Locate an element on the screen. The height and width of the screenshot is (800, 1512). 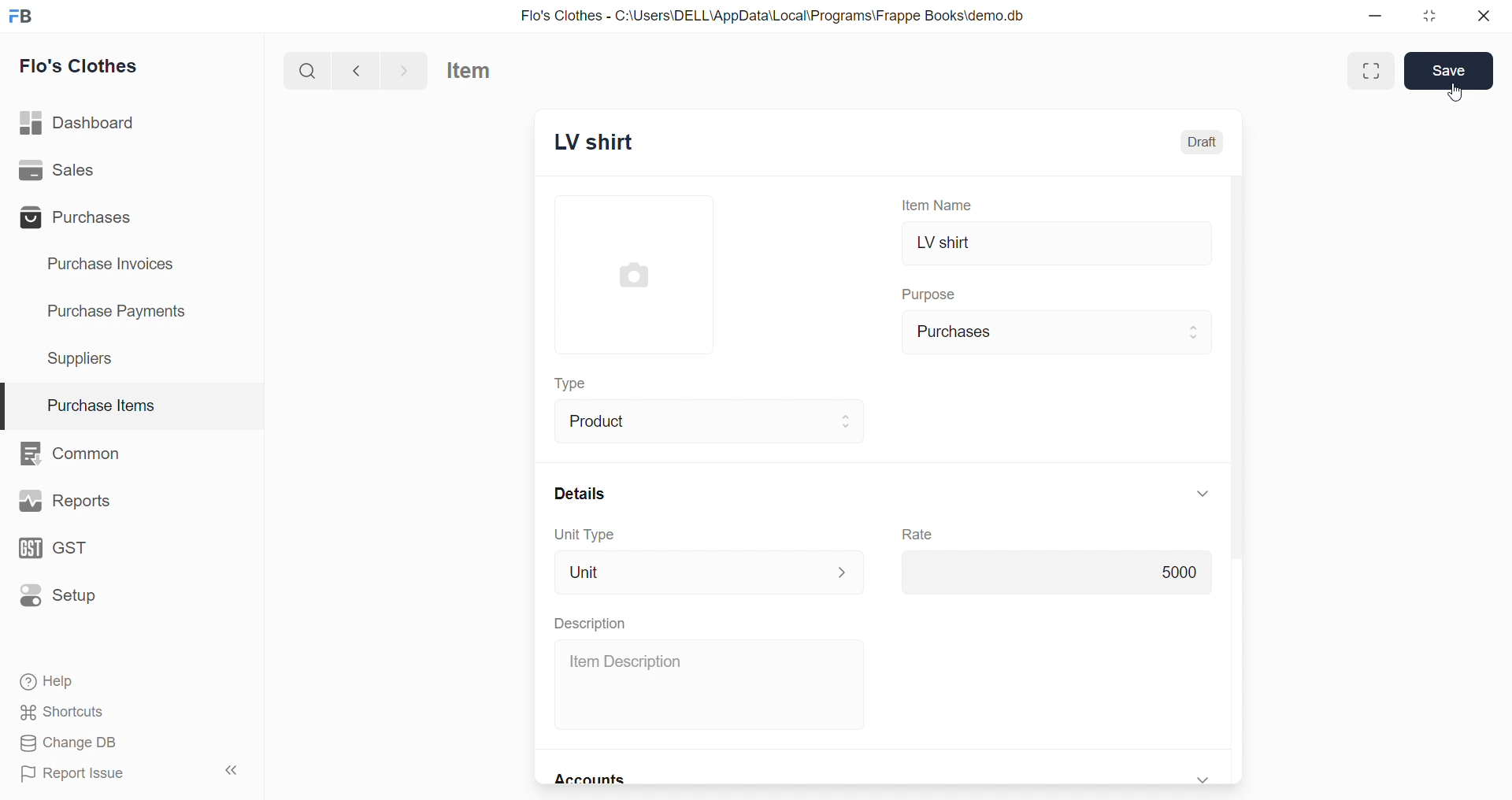
Rate is located at coordinates (920, 535).